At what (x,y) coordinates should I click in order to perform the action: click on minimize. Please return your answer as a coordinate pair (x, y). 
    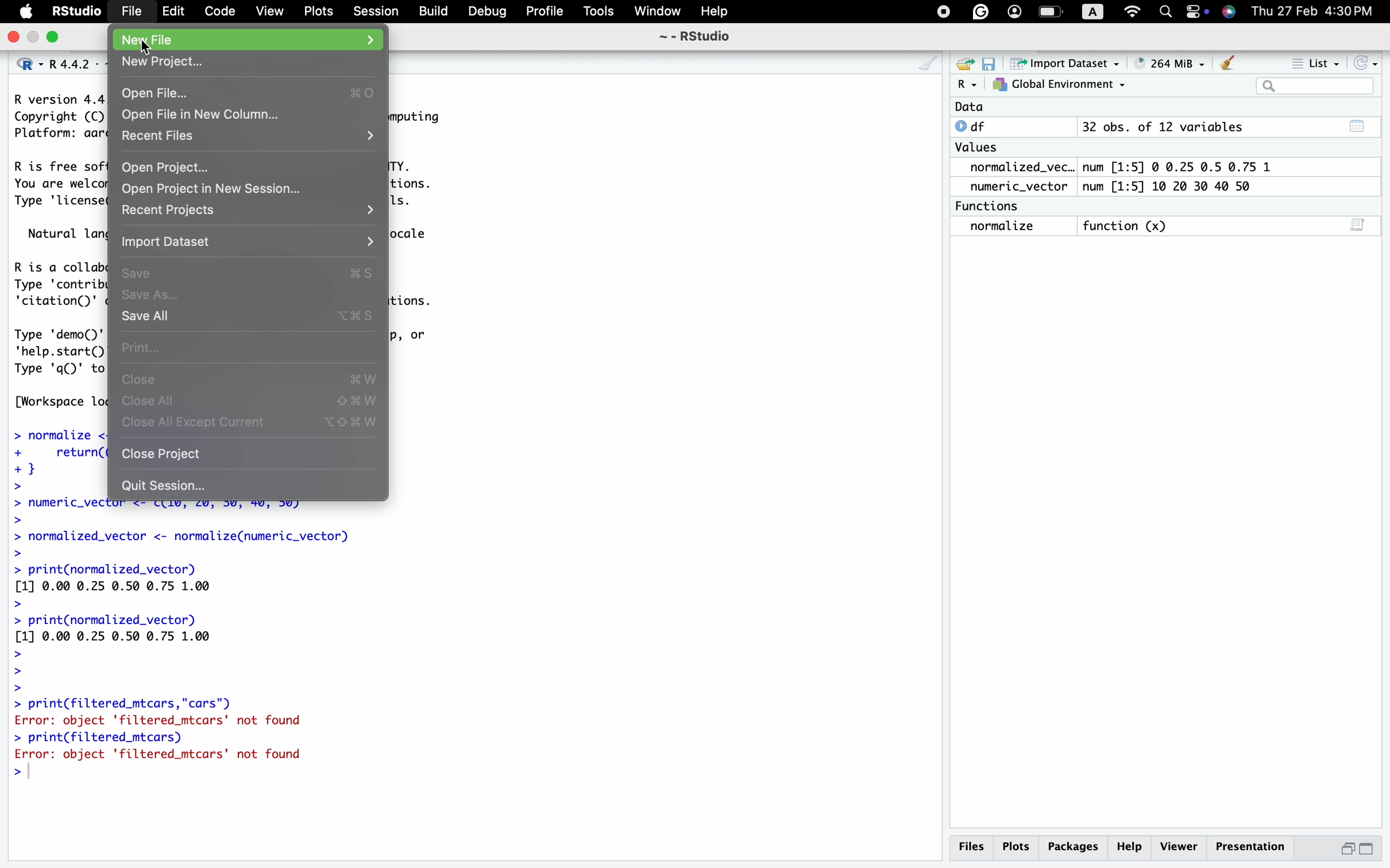
    Looking at the image, I should click on (34, 38).